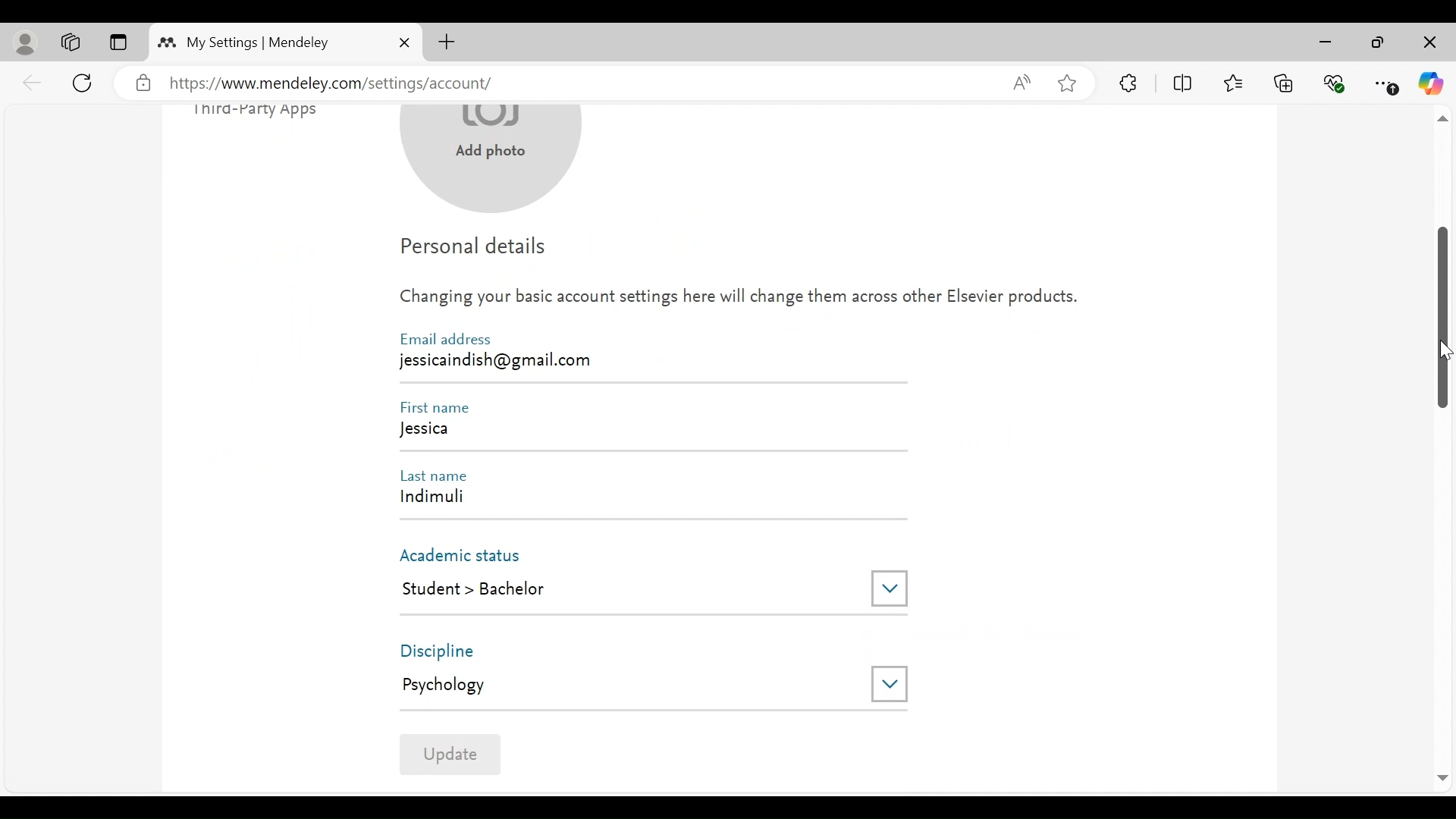  I want to click on scroll up, so click(1442, 120).